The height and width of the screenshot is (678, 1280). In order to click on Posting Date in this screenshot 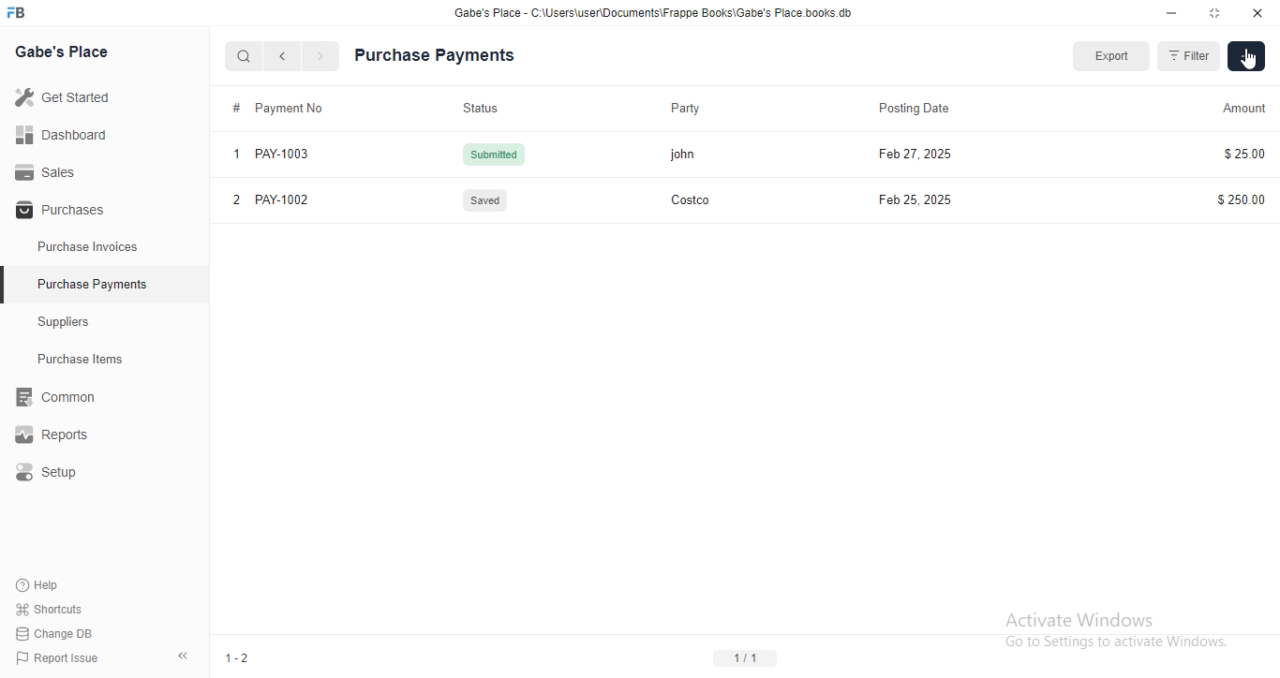, I will do `click(913, 109)`.